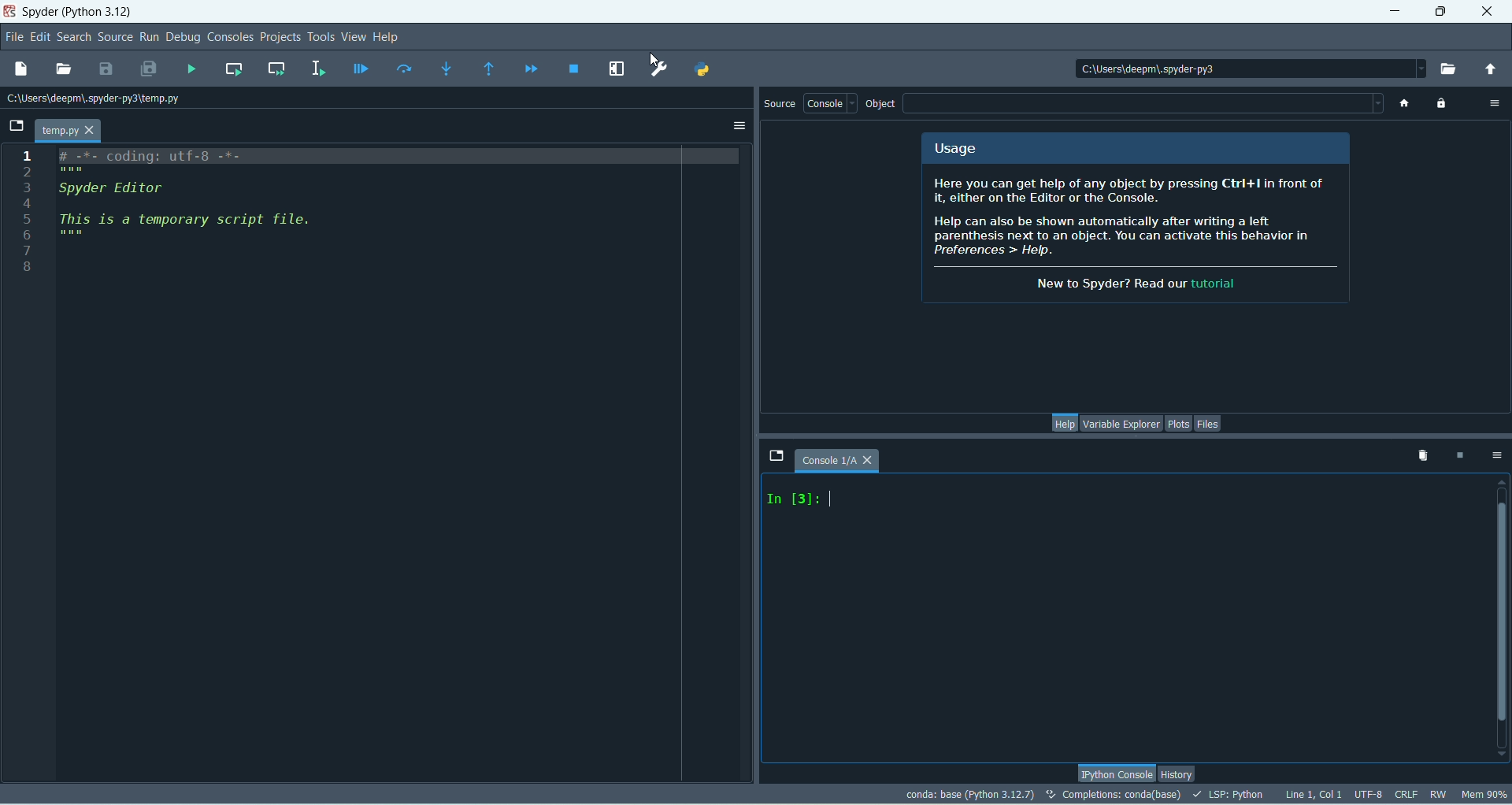 This screenshot has height=805, width=1512. What do you see at coordinates (98, 98) in the screenshot?
I see `location` at bounding box center [98, 98].